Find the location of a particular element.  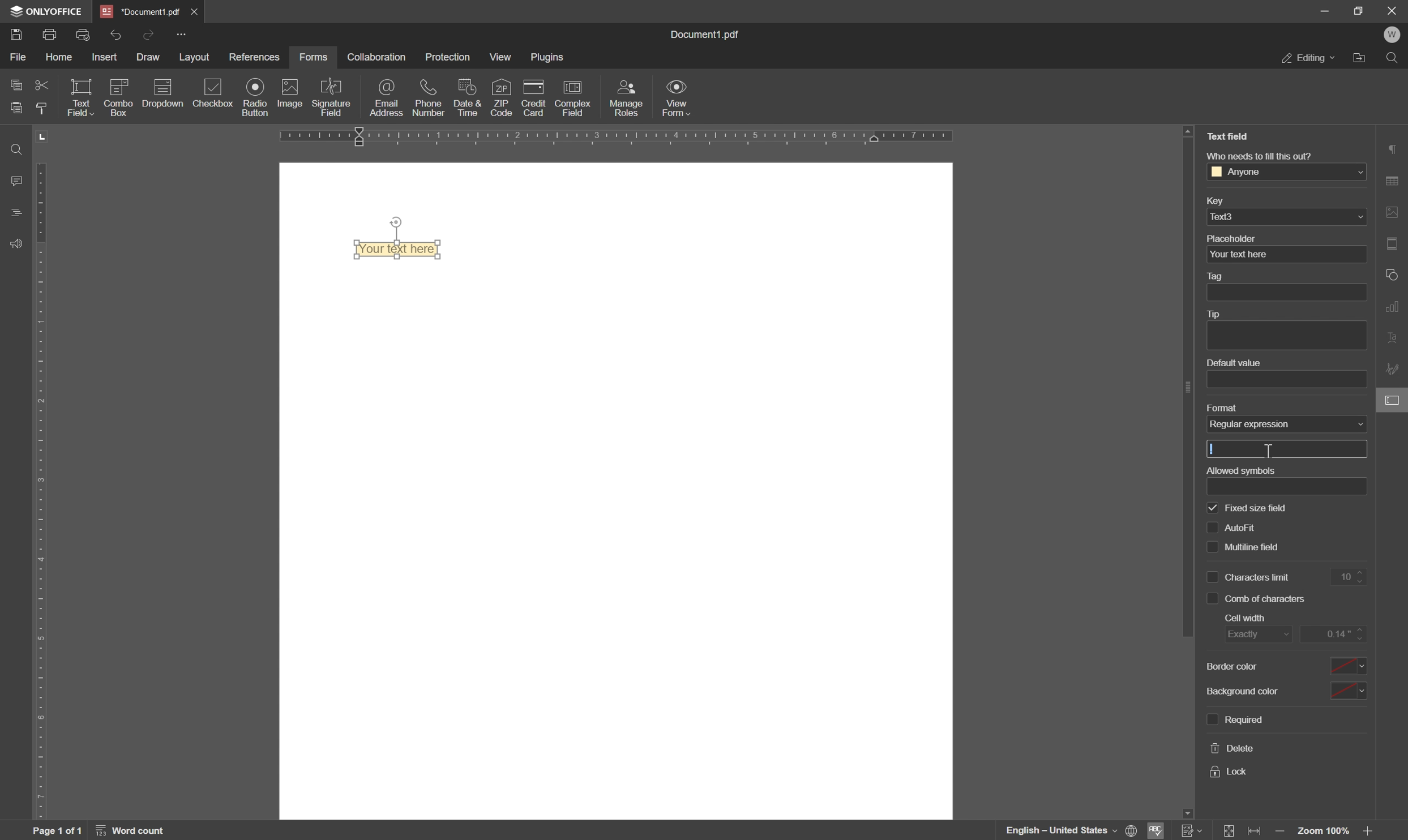

open file location is located at coordinates (1359, 58).